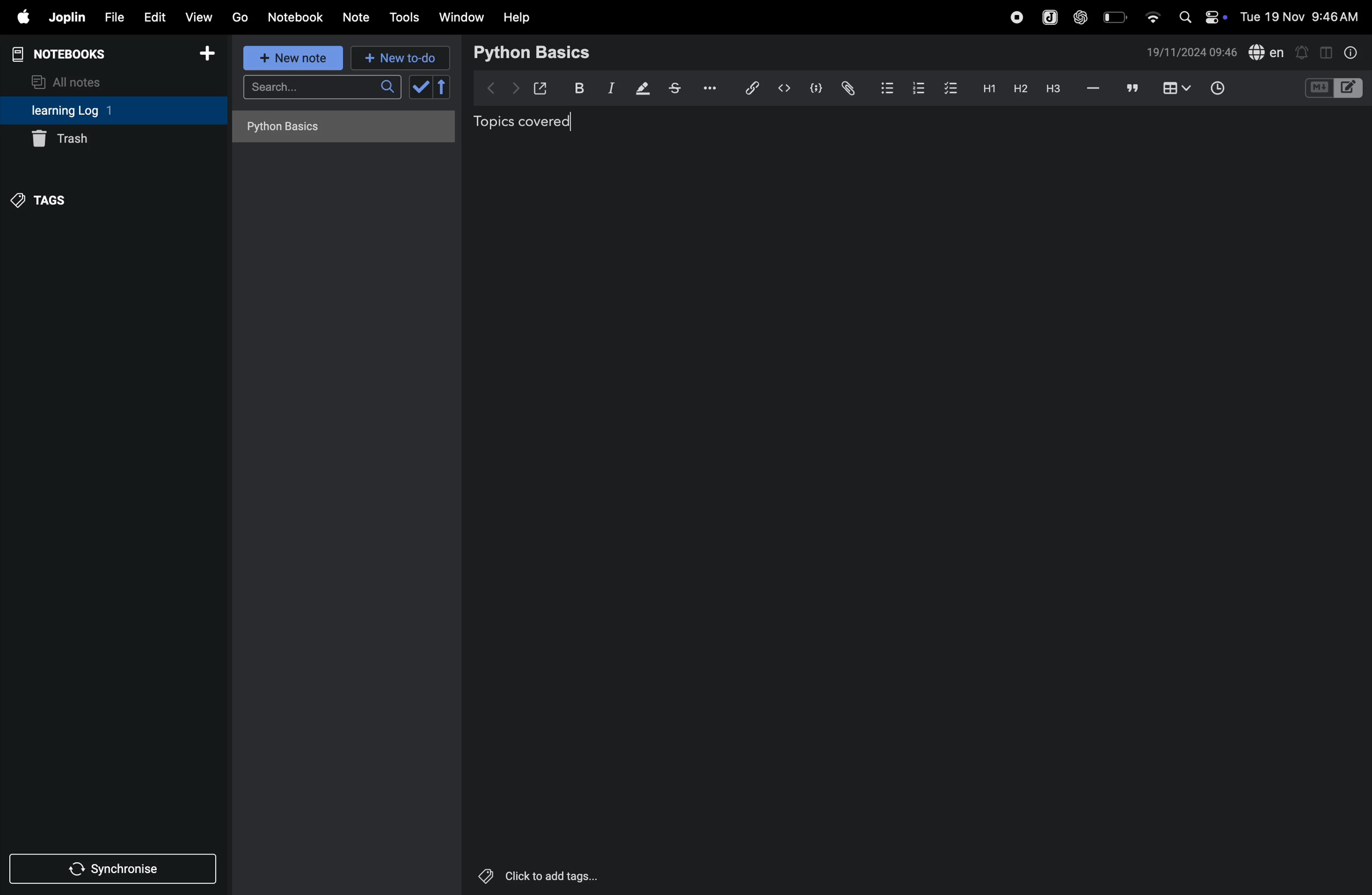 The width and height of the screenshot is (1372, 895). What do you see at coordinates (462, 17) in the screenshot?
I see `window` at bounding box center [462, 17].